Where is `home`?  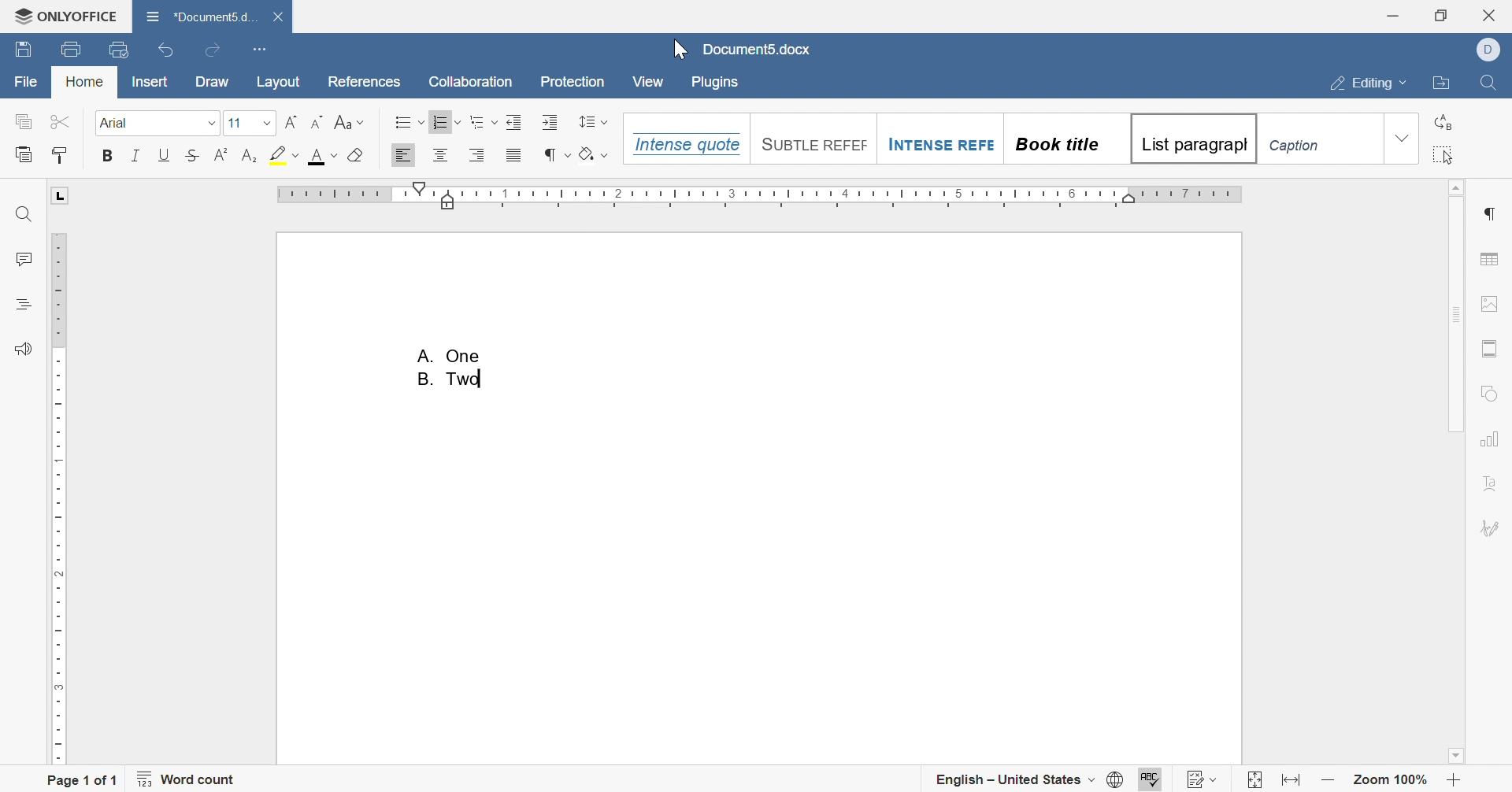 home is located at coordinates (86, 81).